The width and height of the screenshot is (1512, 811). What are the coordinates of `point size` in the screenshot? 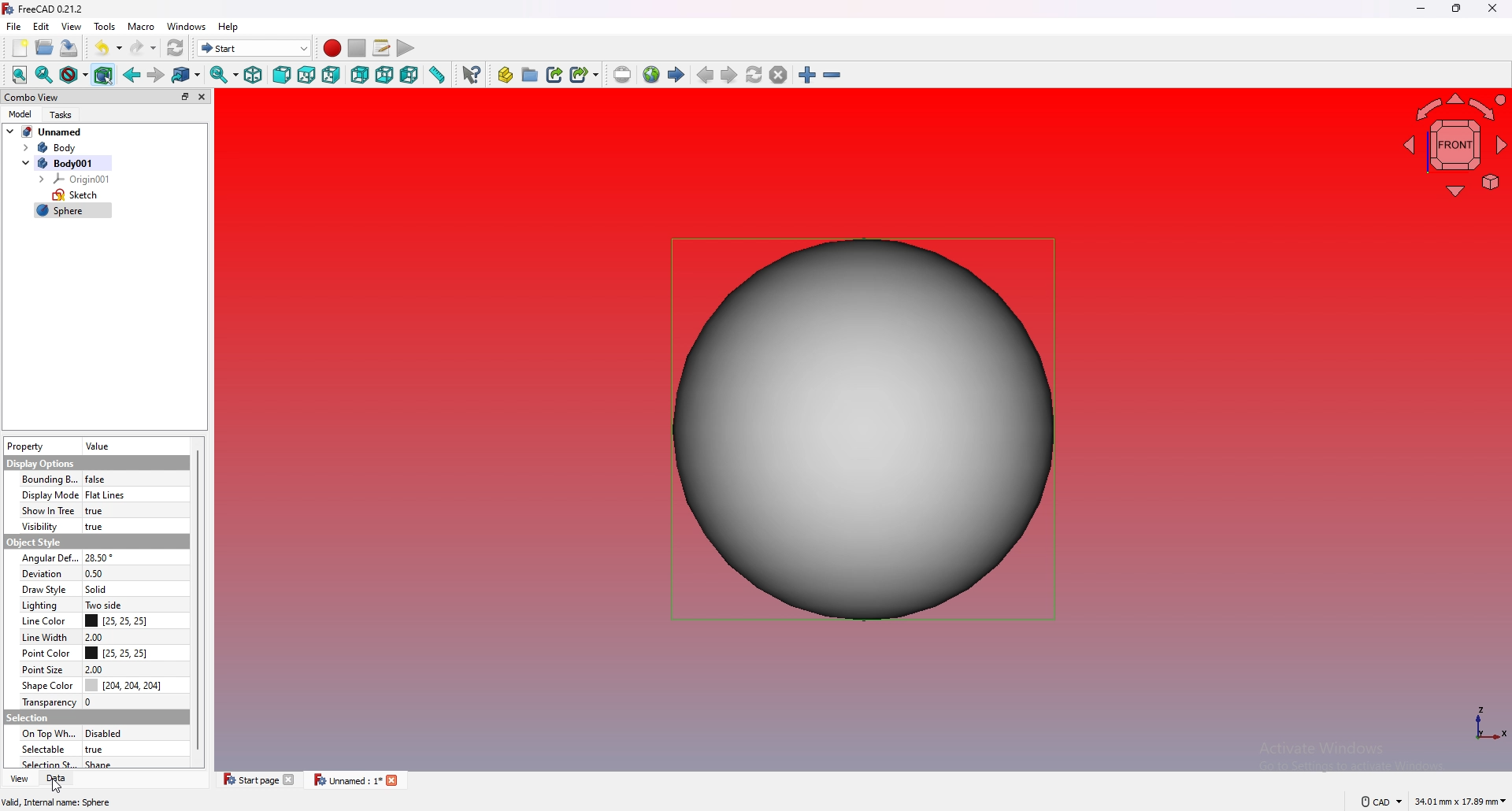 It's located at (98, 668).